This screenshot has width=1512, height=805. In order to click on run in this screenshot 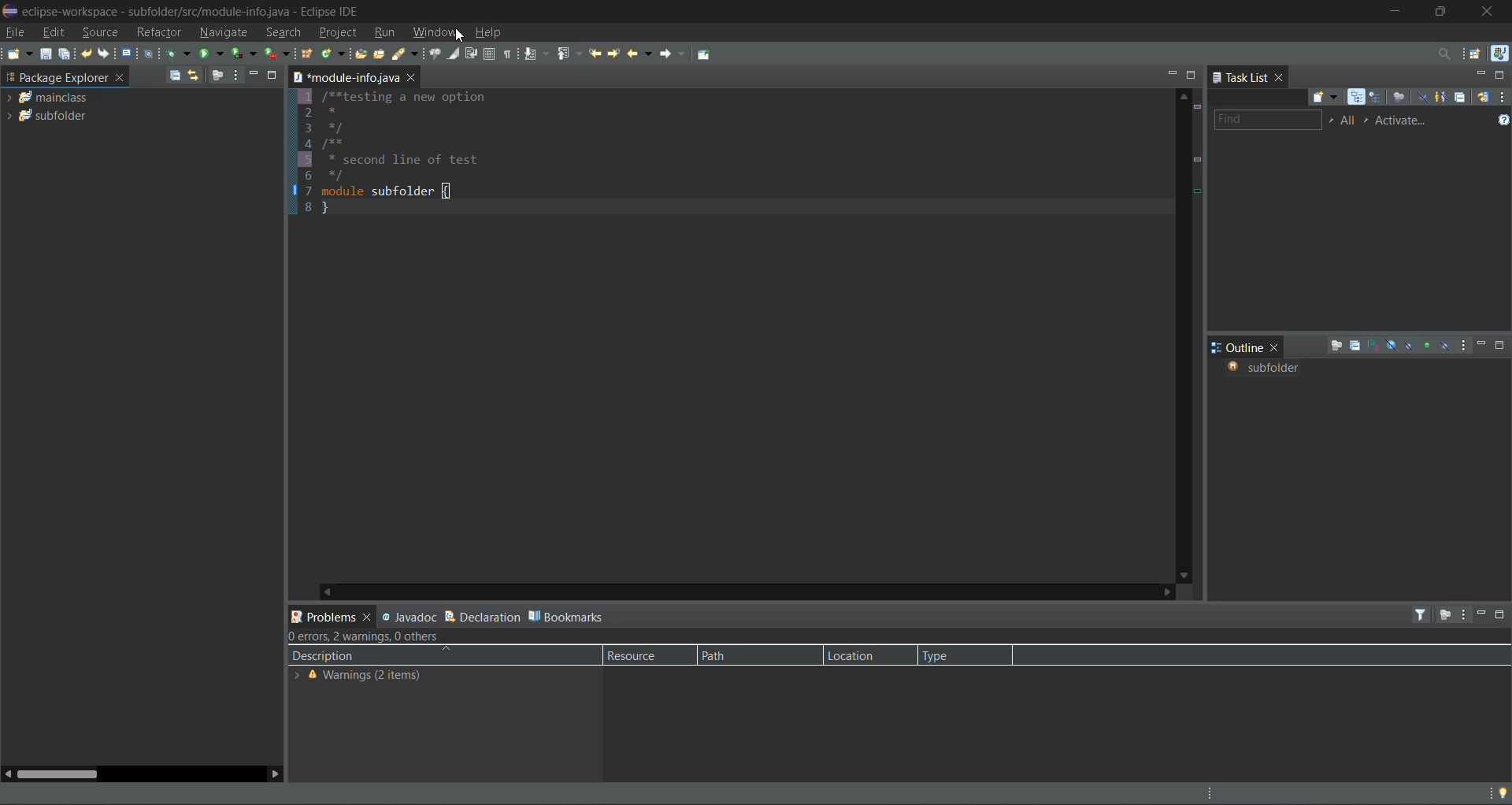, I will do `click(387, 33)`.